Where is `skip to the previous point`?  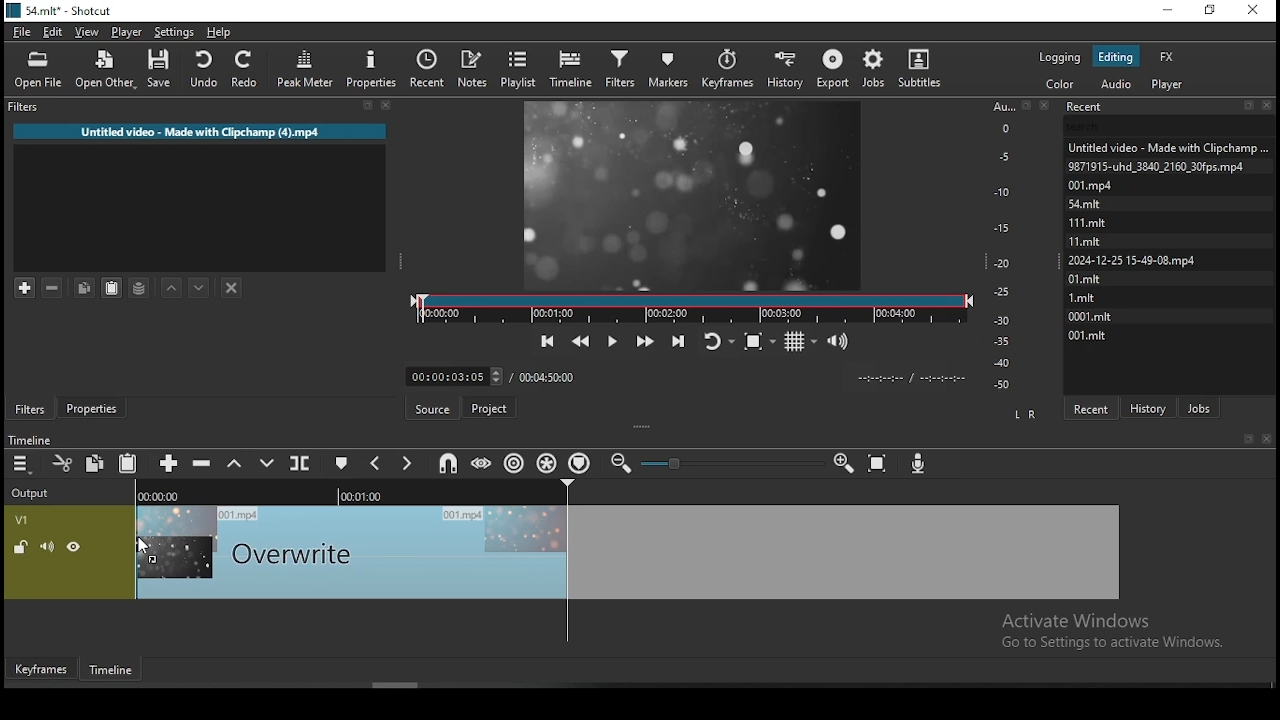
skip to the previous point is located at coordinates (547, 339).